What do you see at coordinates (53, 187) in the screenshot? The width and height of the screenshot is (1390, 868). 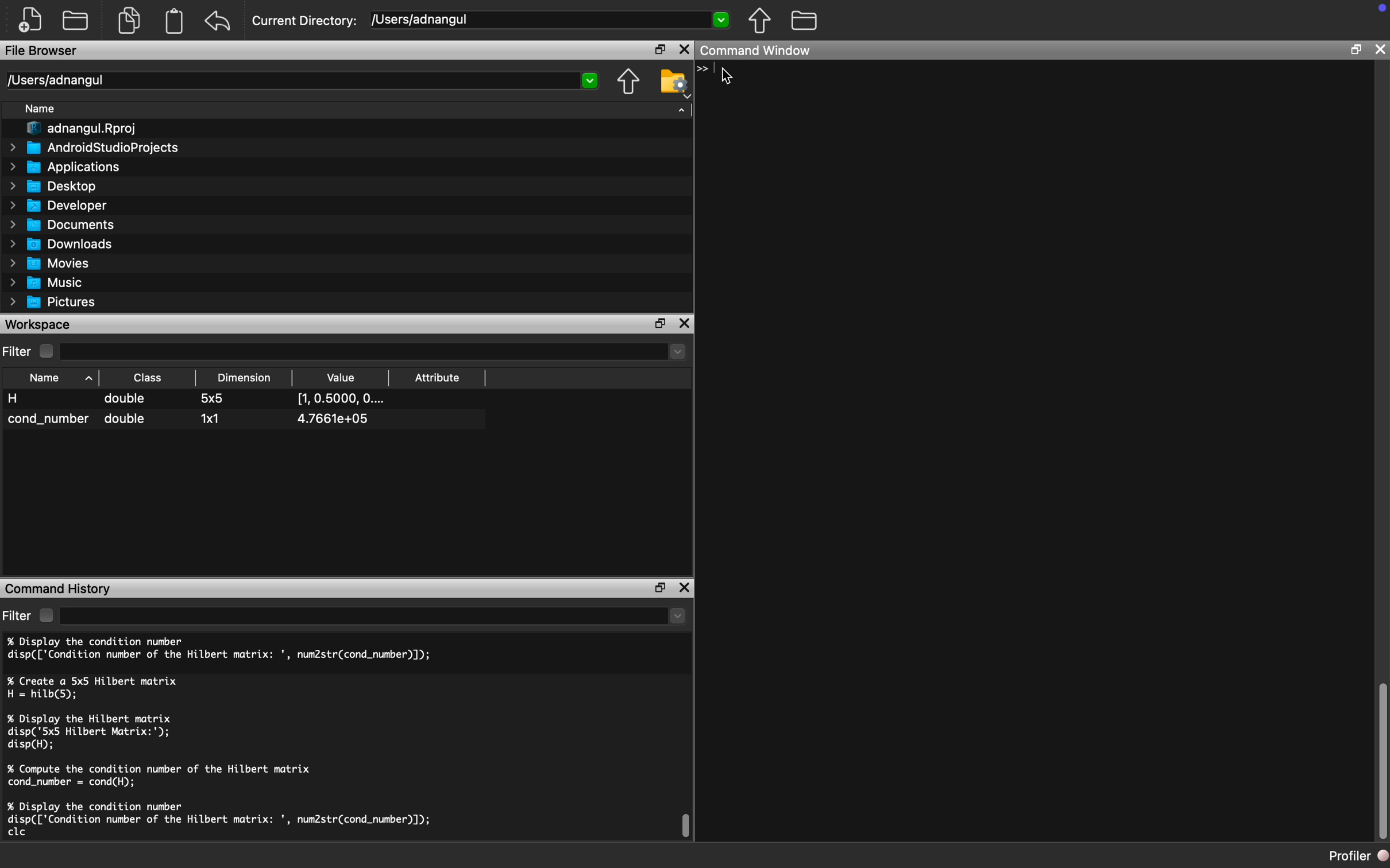 I see `Desktop` at bounding box center [53, 187].